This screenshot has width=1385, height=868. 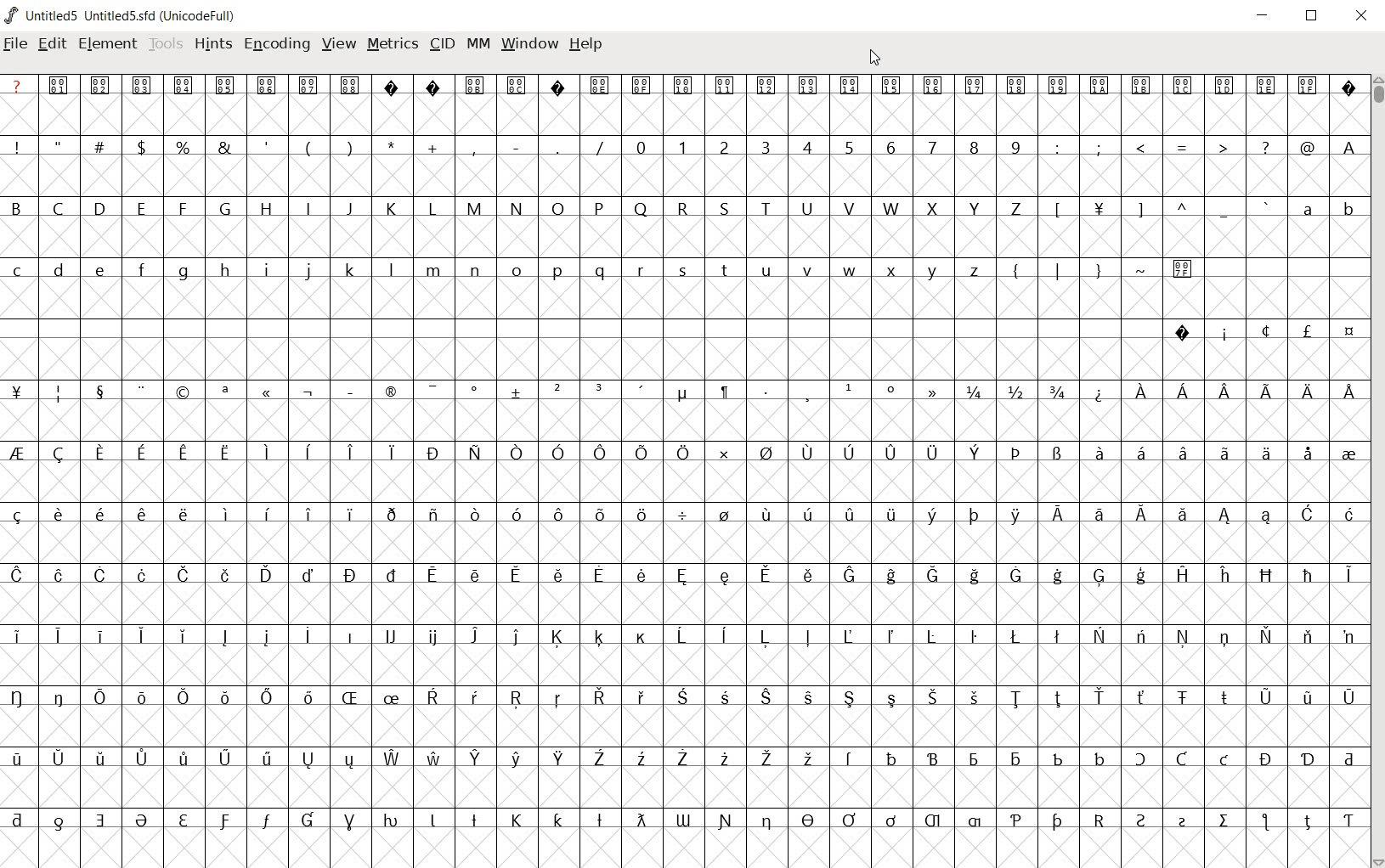 What do you see at coordinates (266, 823) in the screenshot?
I see `Symbol` at bounding box center [266, 823].